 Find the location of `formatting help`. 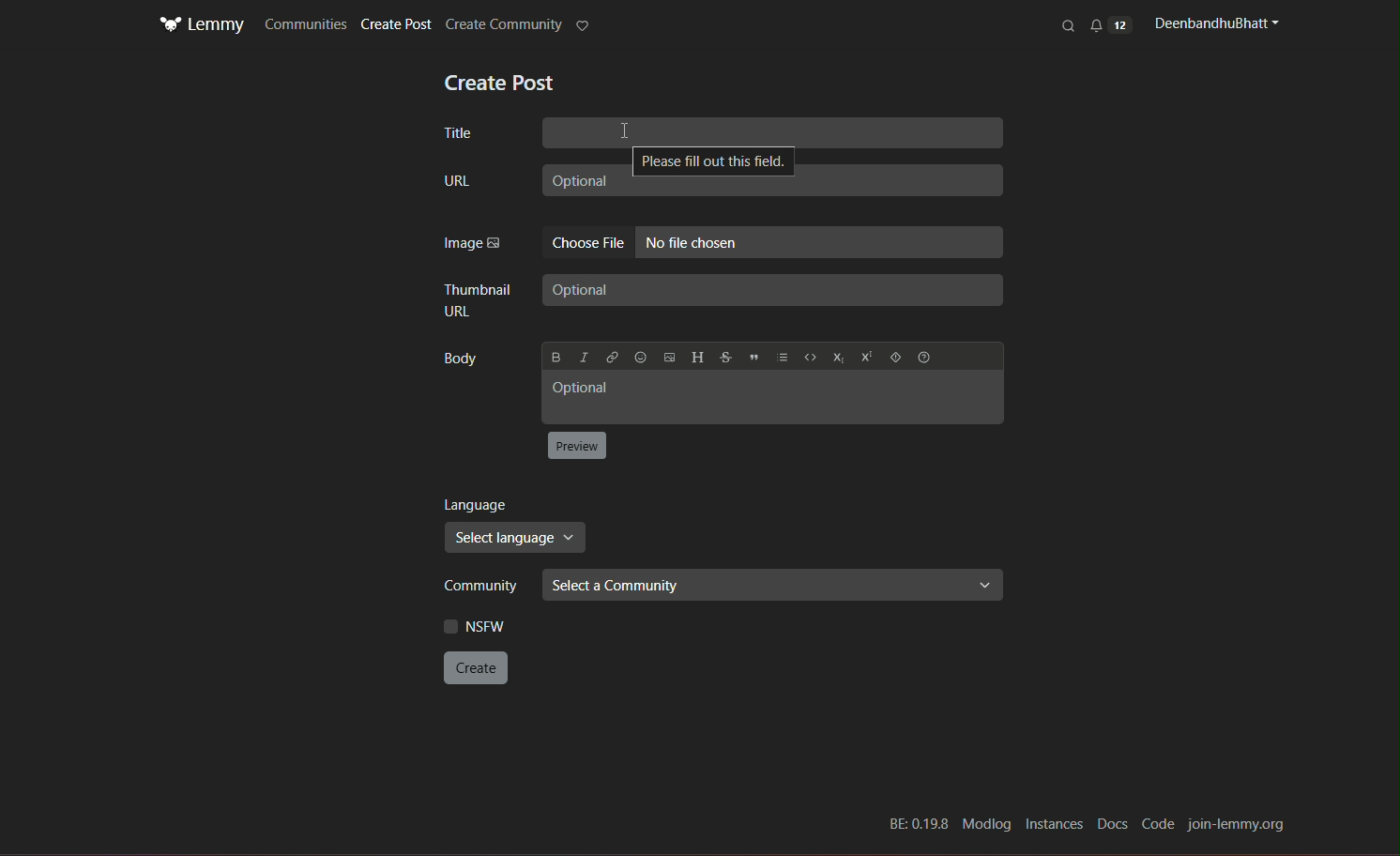

formatting help is located at coordinates (925, 356).